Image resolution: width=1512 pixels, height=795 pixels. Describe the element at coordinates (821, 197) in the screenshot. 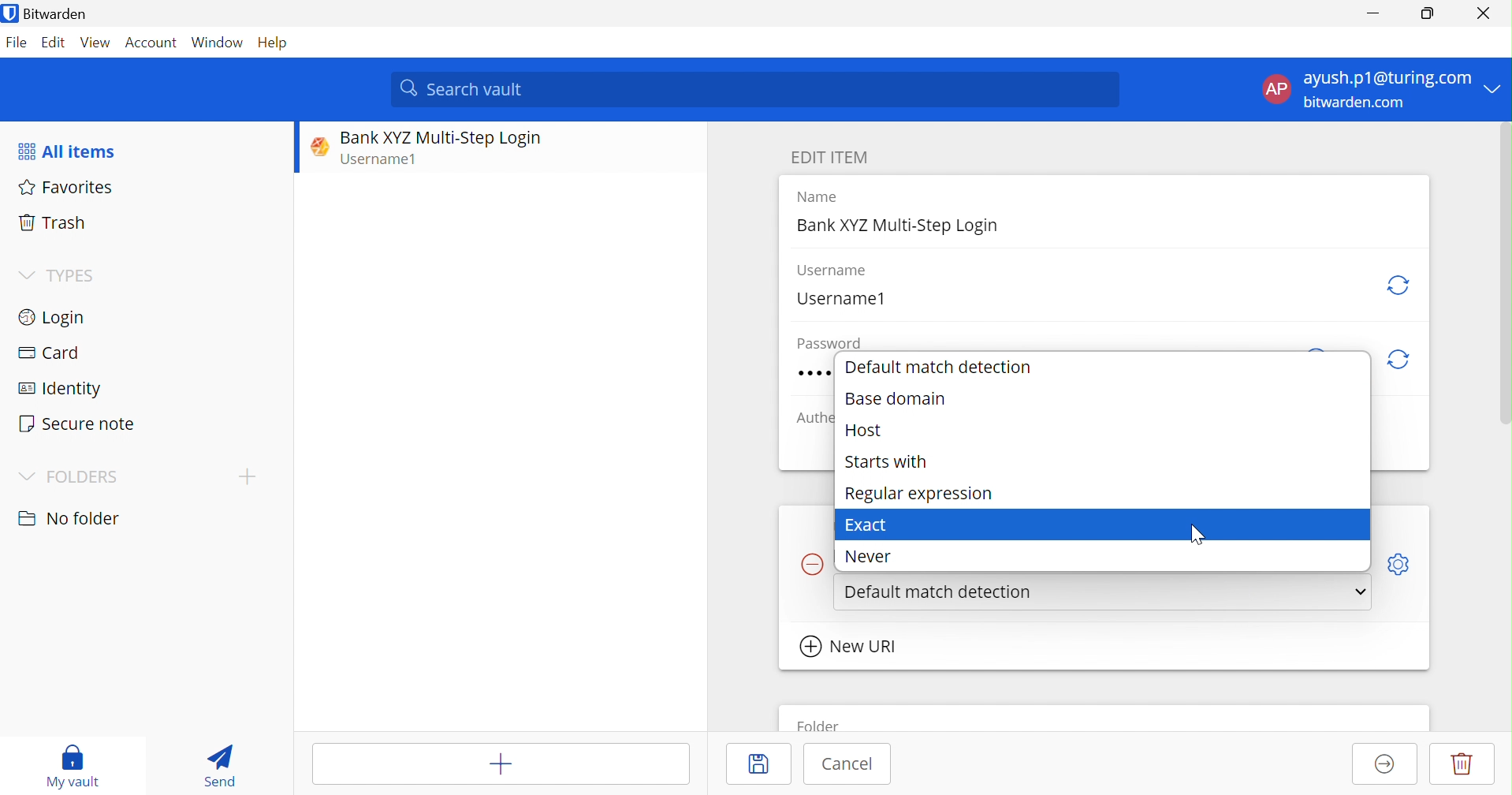

I see `Name` at that location.